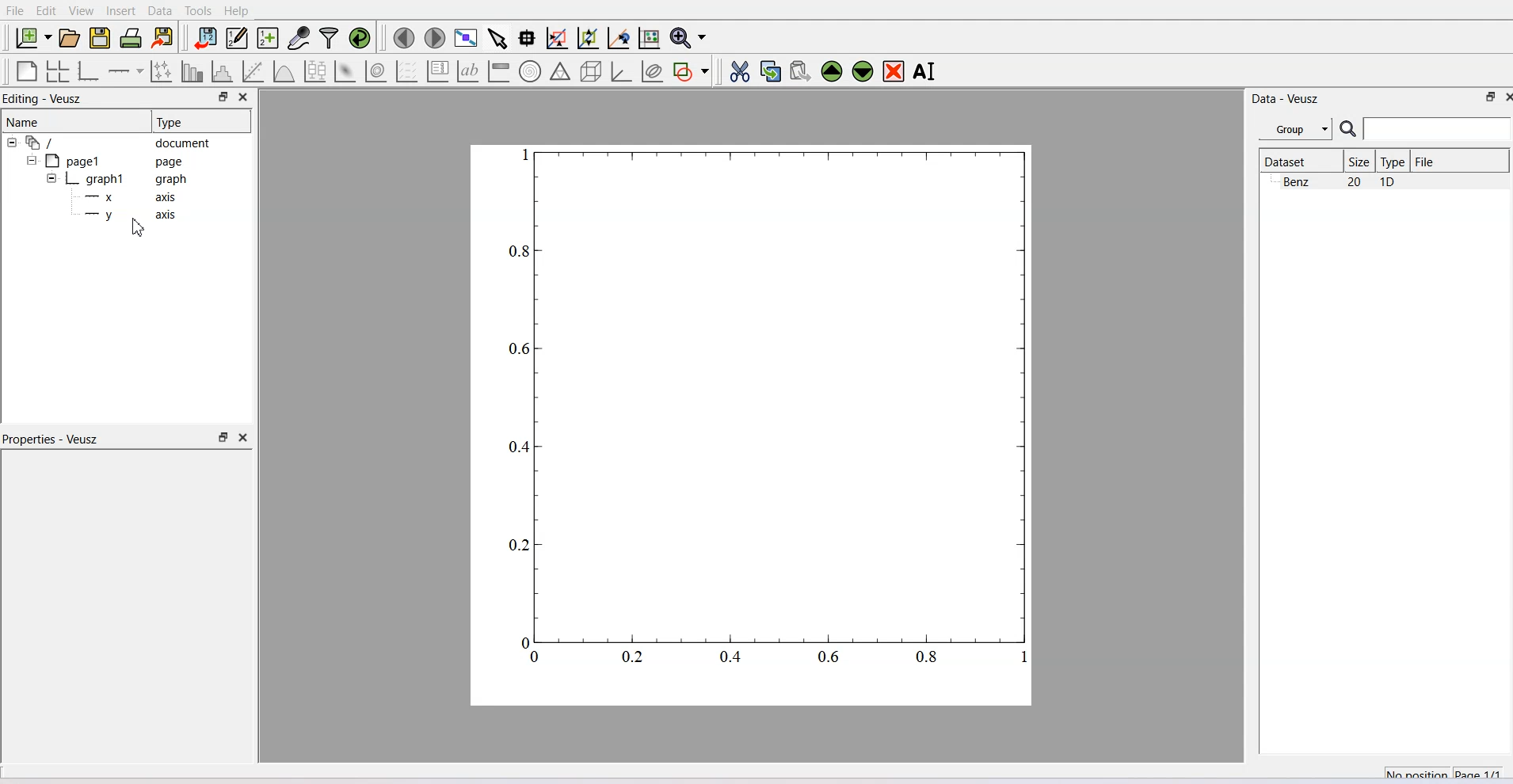  Describe the element at coordinates (619, 37) in the screenshot. I see `Recenter graph axes` at that location.